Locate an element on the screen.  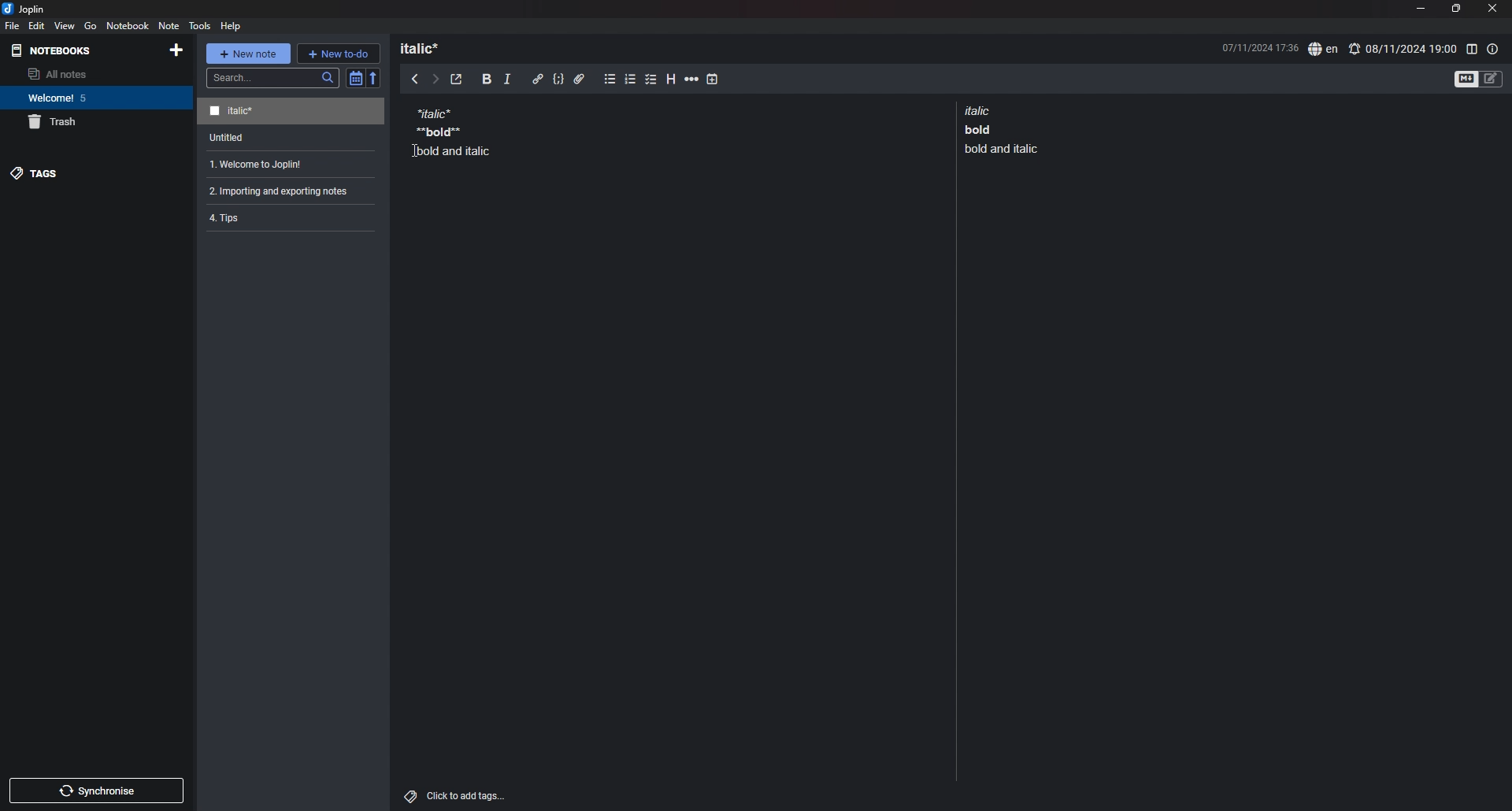
add notebook is located at coordinates (175, 50).